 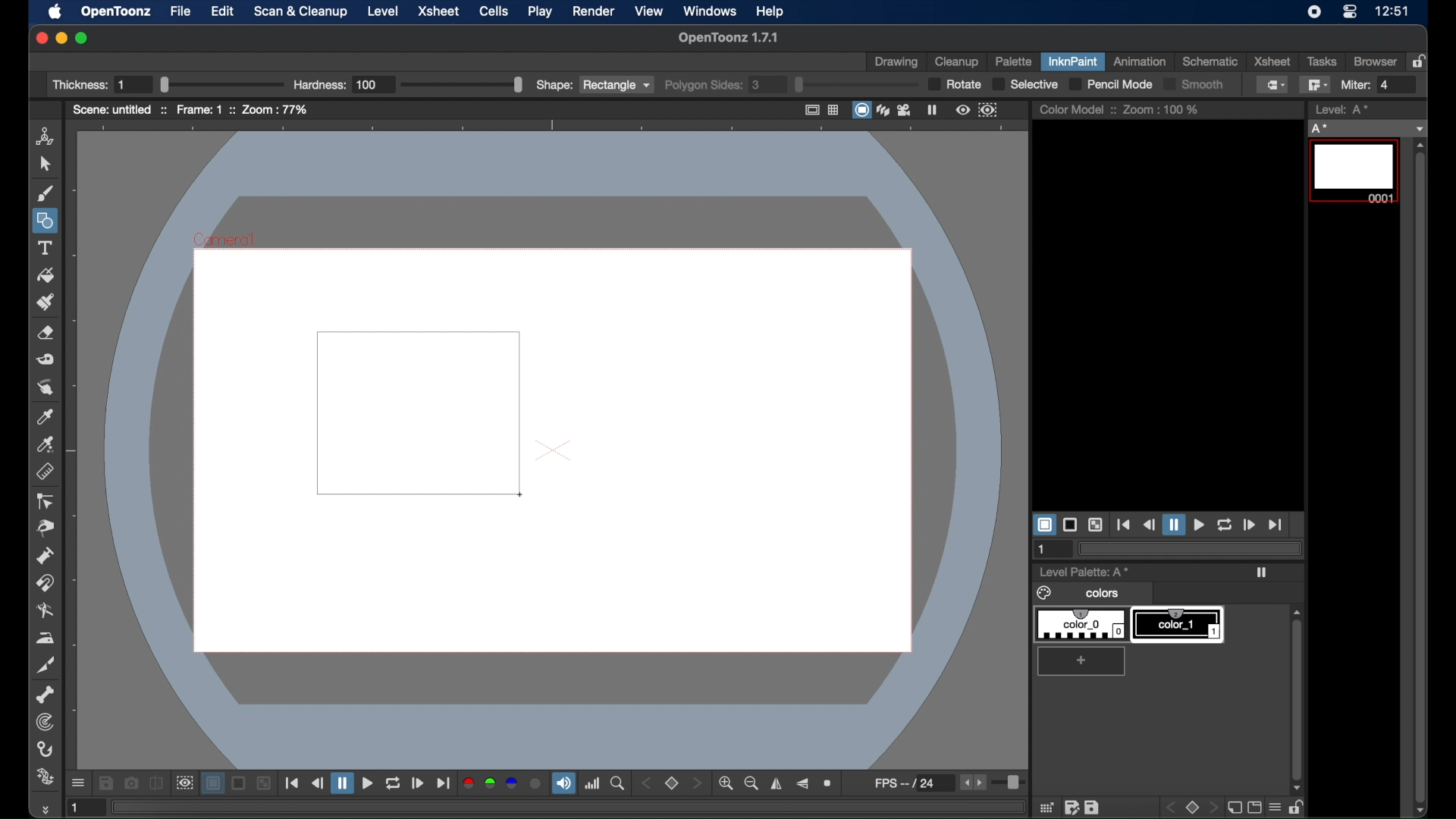 I want to click on iron tool, so click(x=45, y=639).